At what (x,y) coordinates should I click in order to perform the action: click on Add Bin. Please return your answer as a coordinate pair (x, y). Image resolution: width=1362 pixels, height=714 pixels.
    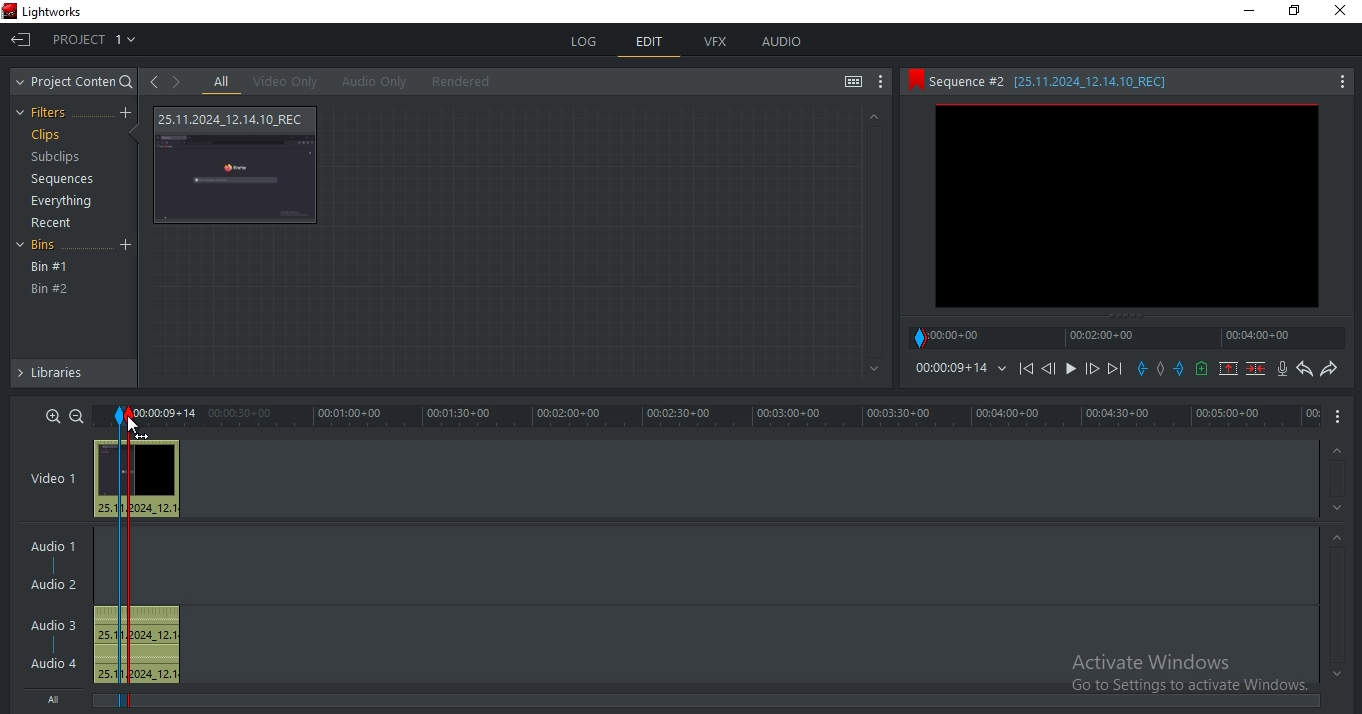
    Looking at the image, I should click on (128, 246).